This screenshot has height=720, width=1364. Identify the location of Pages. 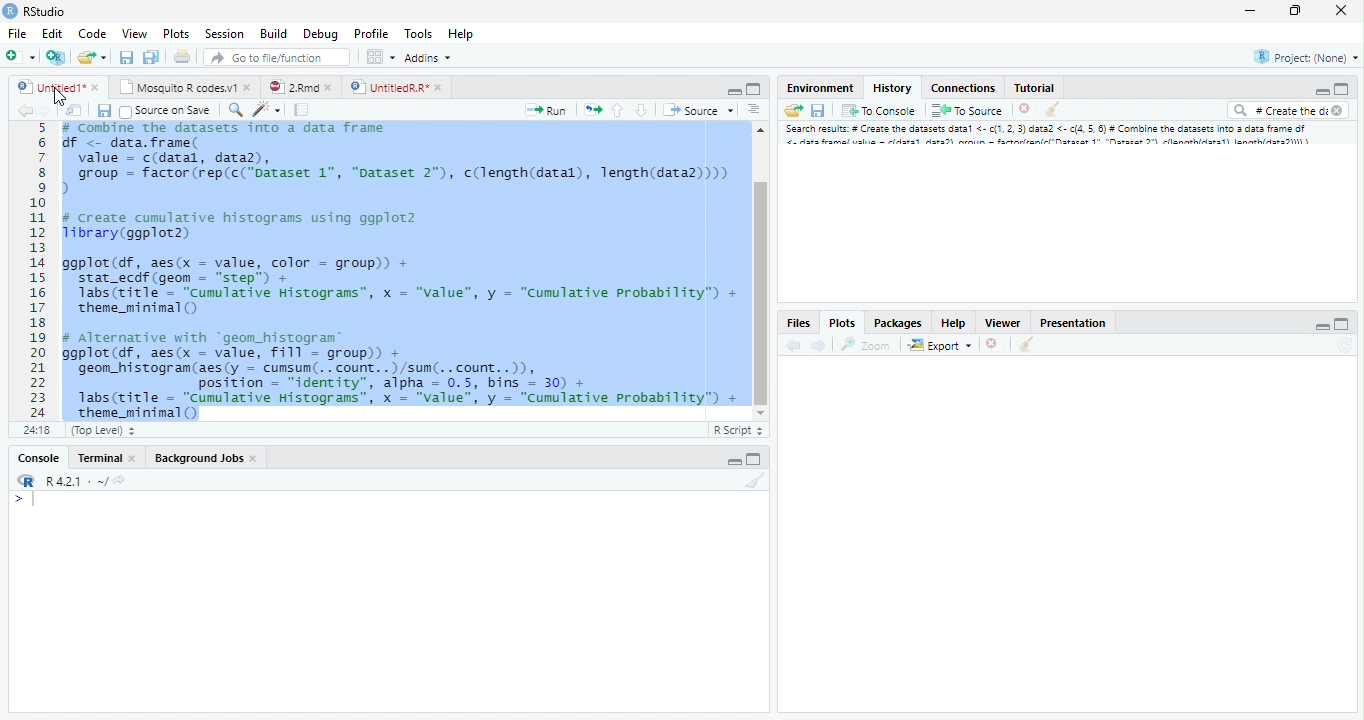
(593, 112).